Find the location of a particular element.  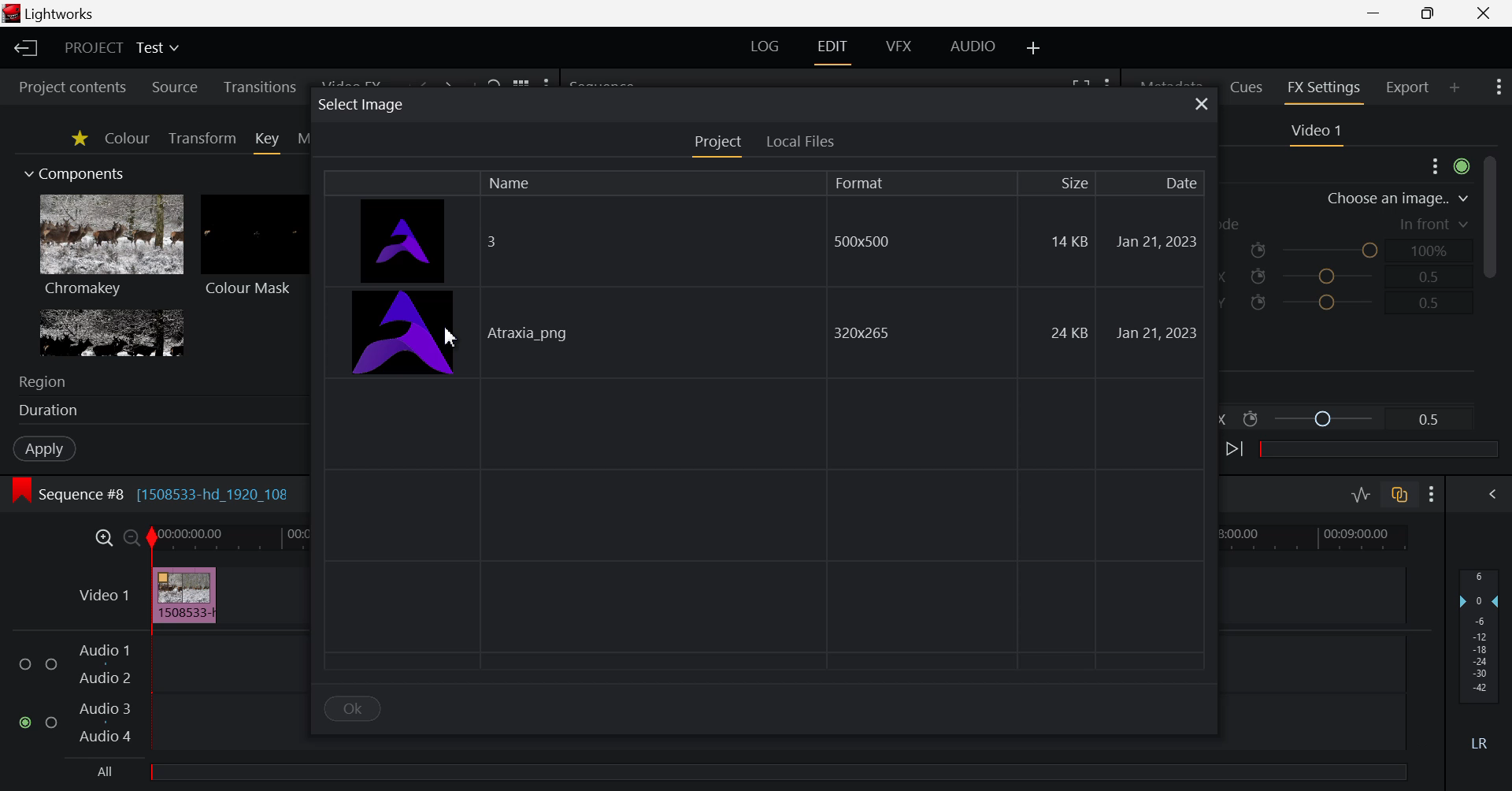

checked checkbox is located at coordinates (25, 721).